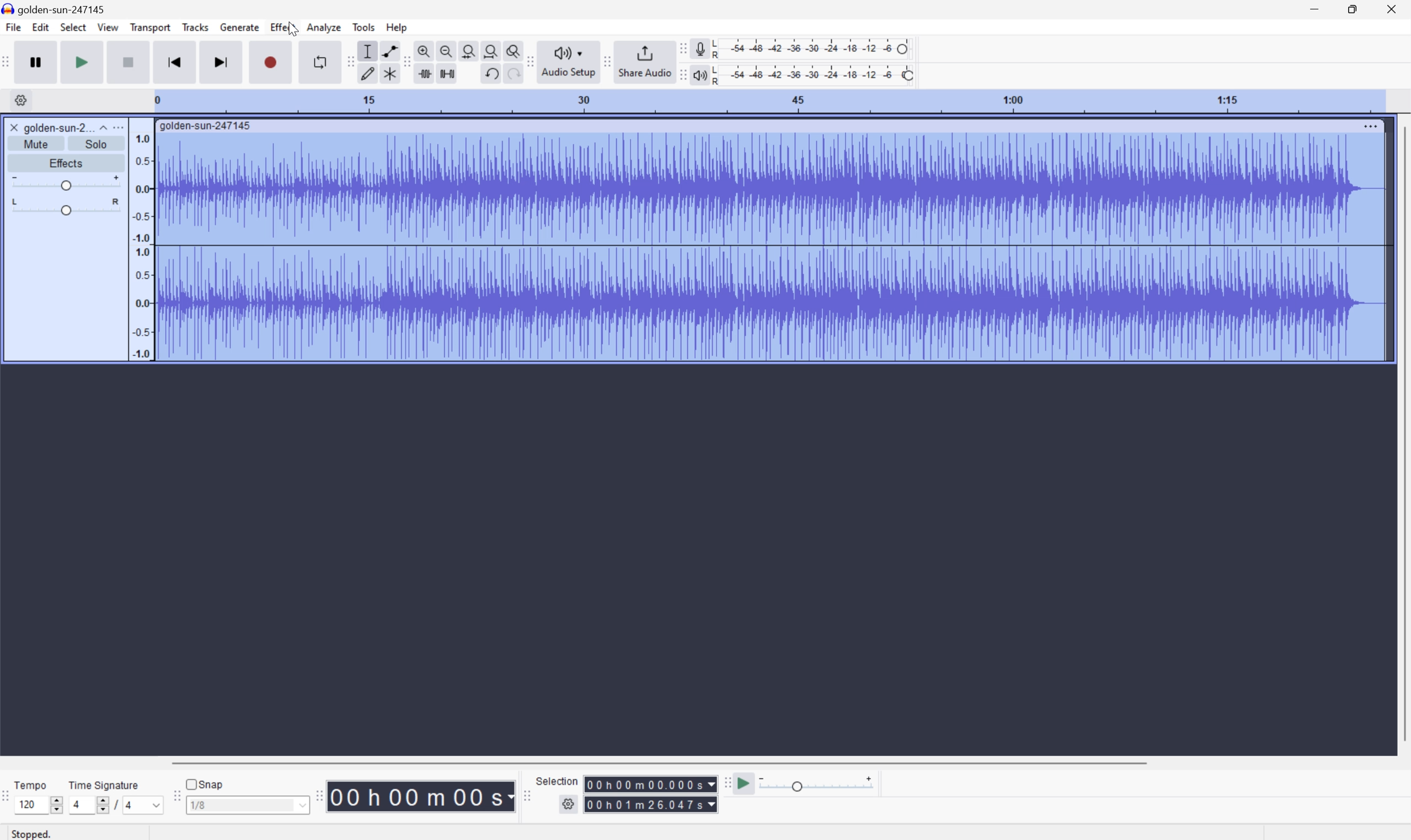  I want to click on Effects, so click(65, 161).